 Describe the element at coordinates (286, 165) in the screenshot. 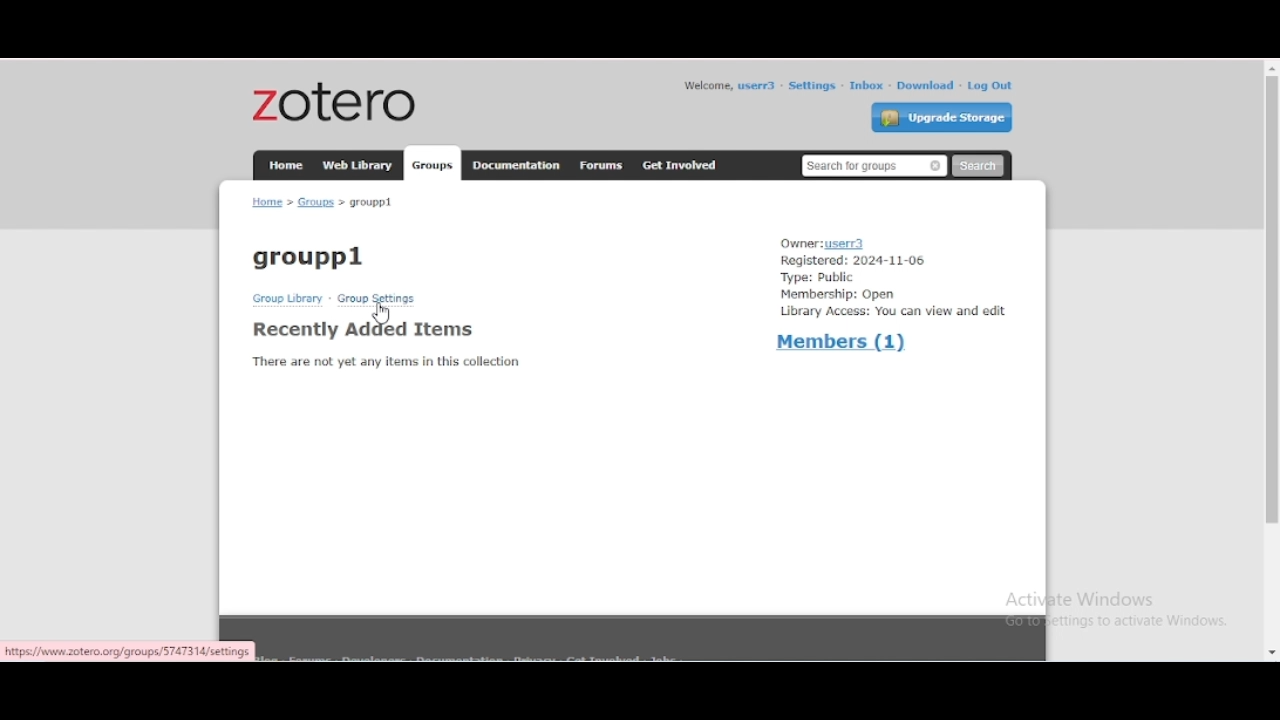

I see `home` at that location.